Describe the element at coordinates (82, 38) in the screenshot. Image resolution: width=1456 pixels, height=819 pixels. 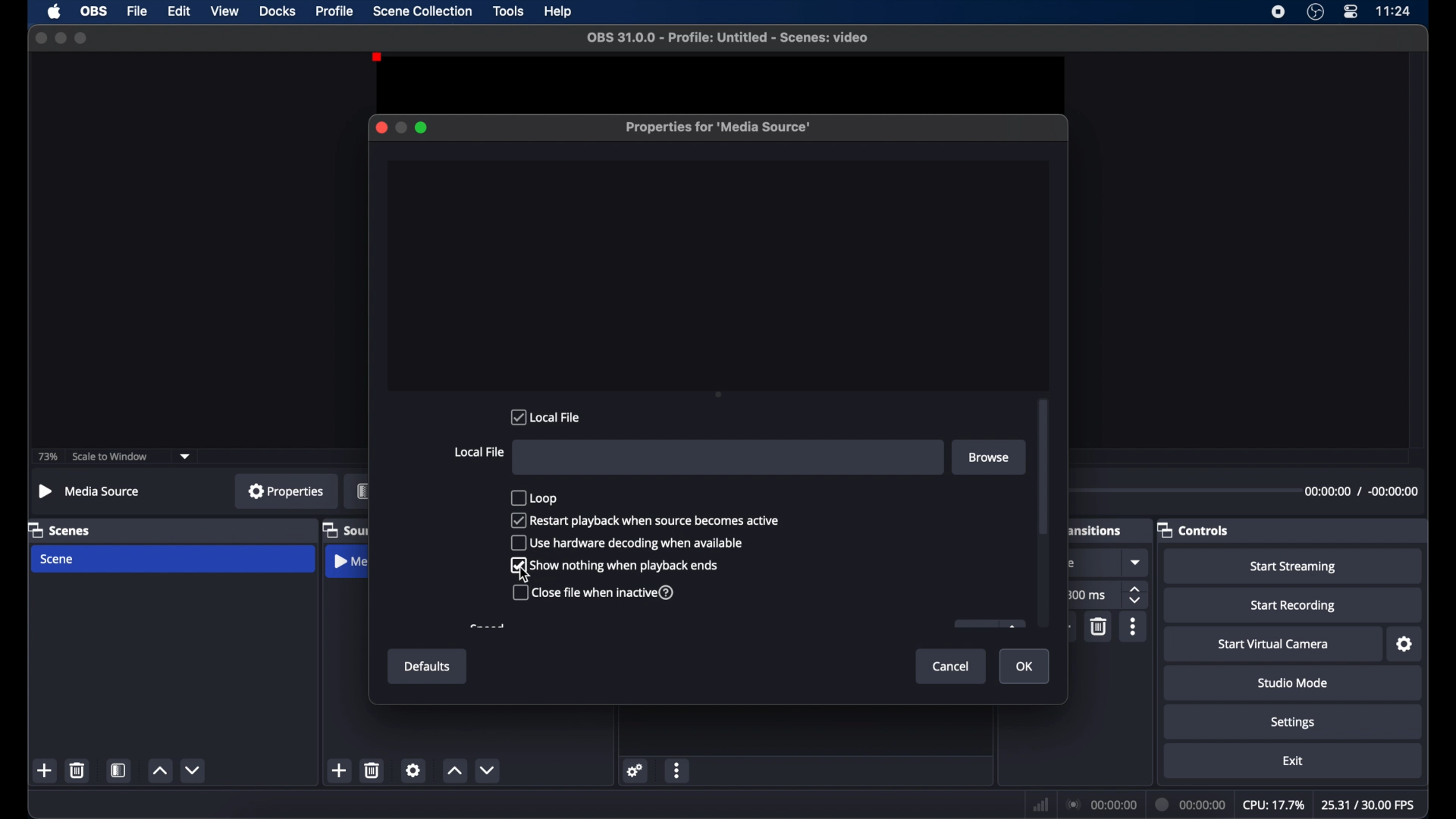
I see `maximize` at that location.